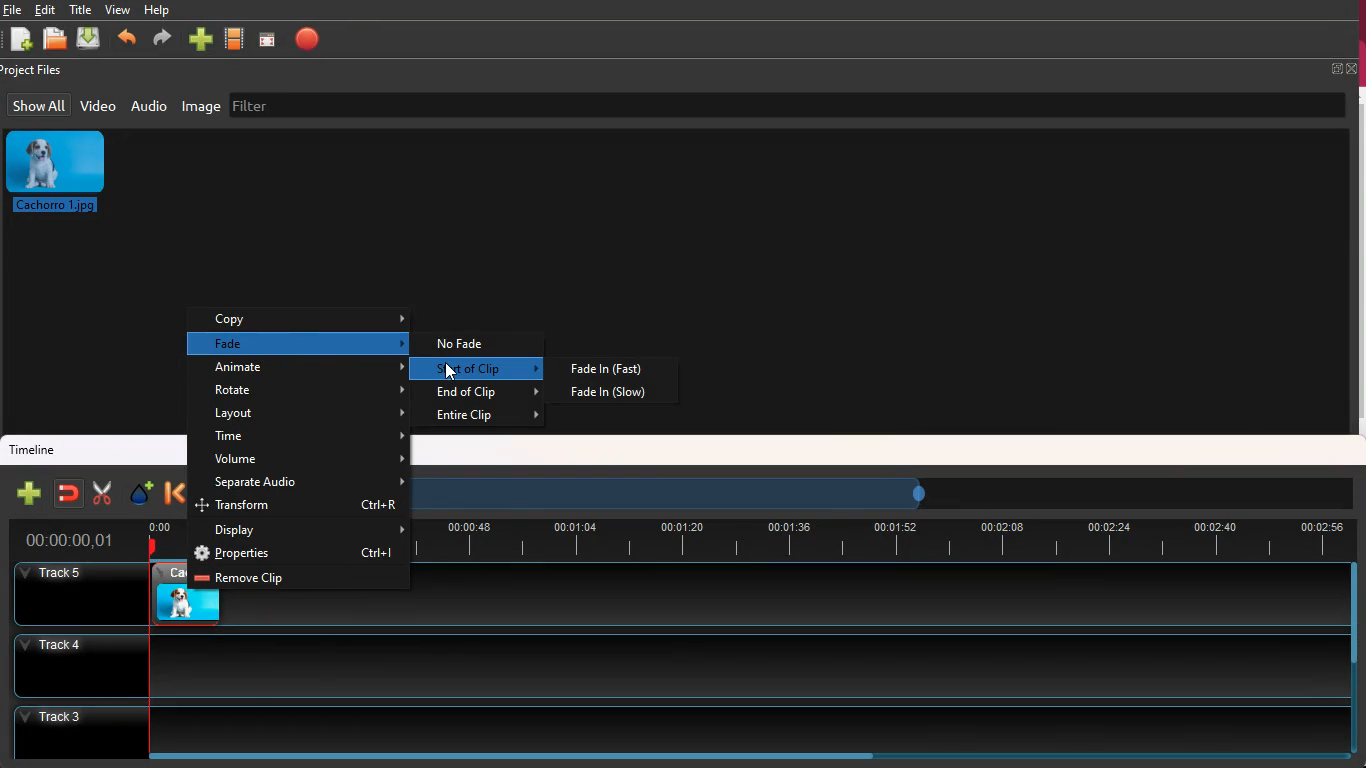 This screenshot has width=1366, height=768. Describe the element at coordinates (70, 538) in the screenshot. I see `time` at that location.